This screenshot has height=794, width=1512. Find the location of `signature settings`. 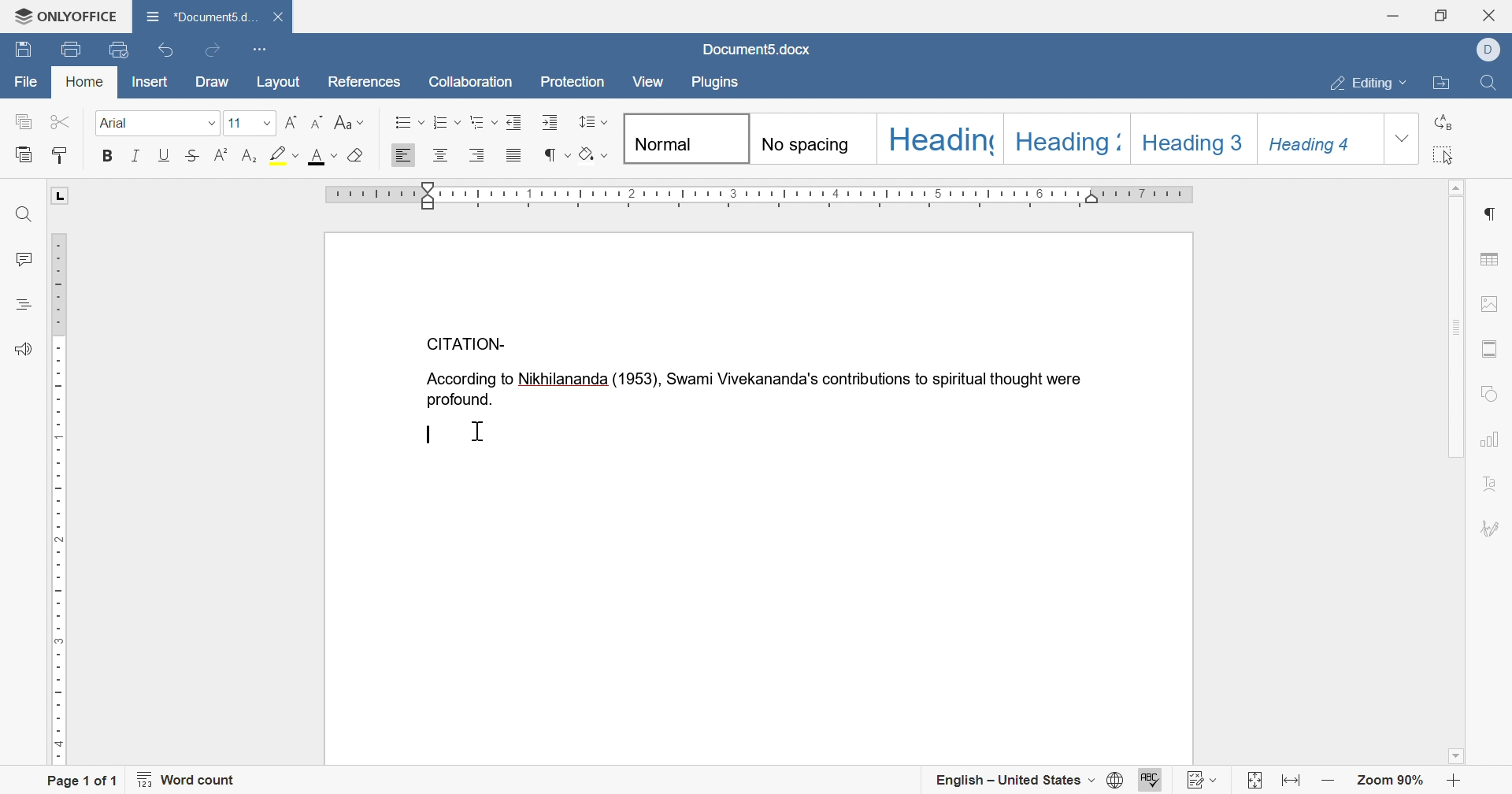

signature settings is located at coordinates (1491, 530).